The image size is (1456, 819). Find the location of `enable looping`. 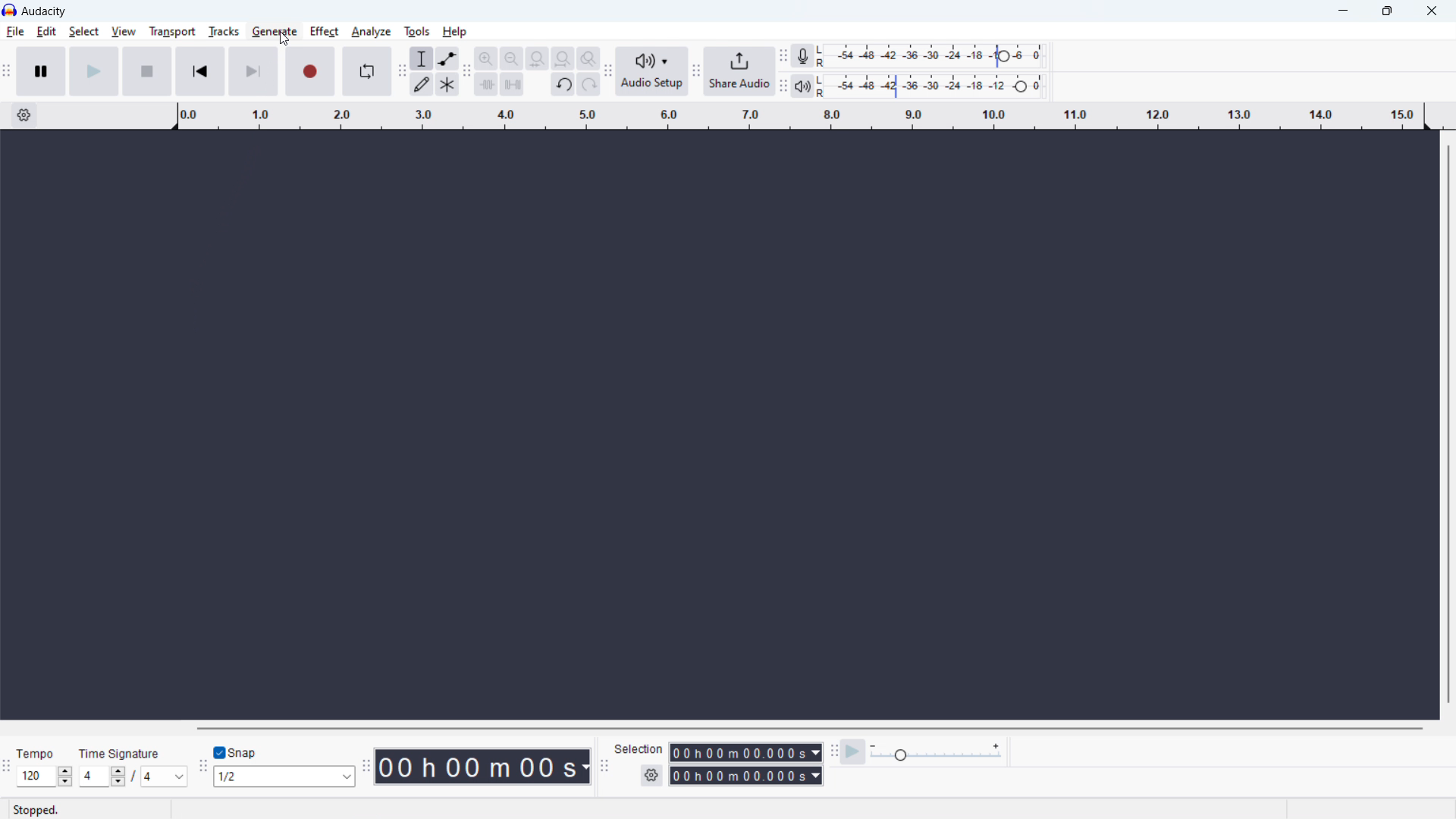

enable looping is located at coordinates (366, 71).